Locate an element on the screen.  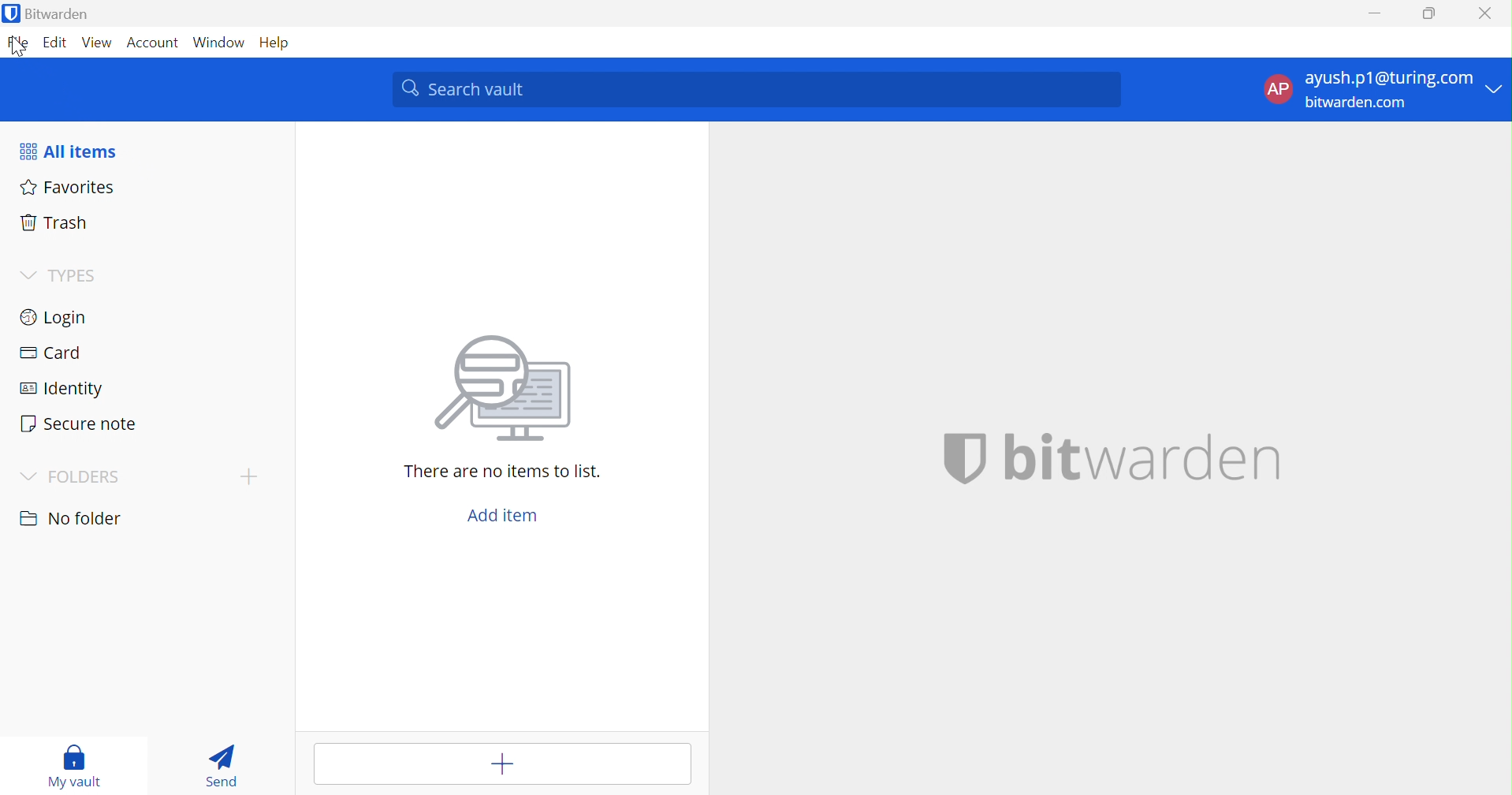
Add item is located at coordinates (502, 515).